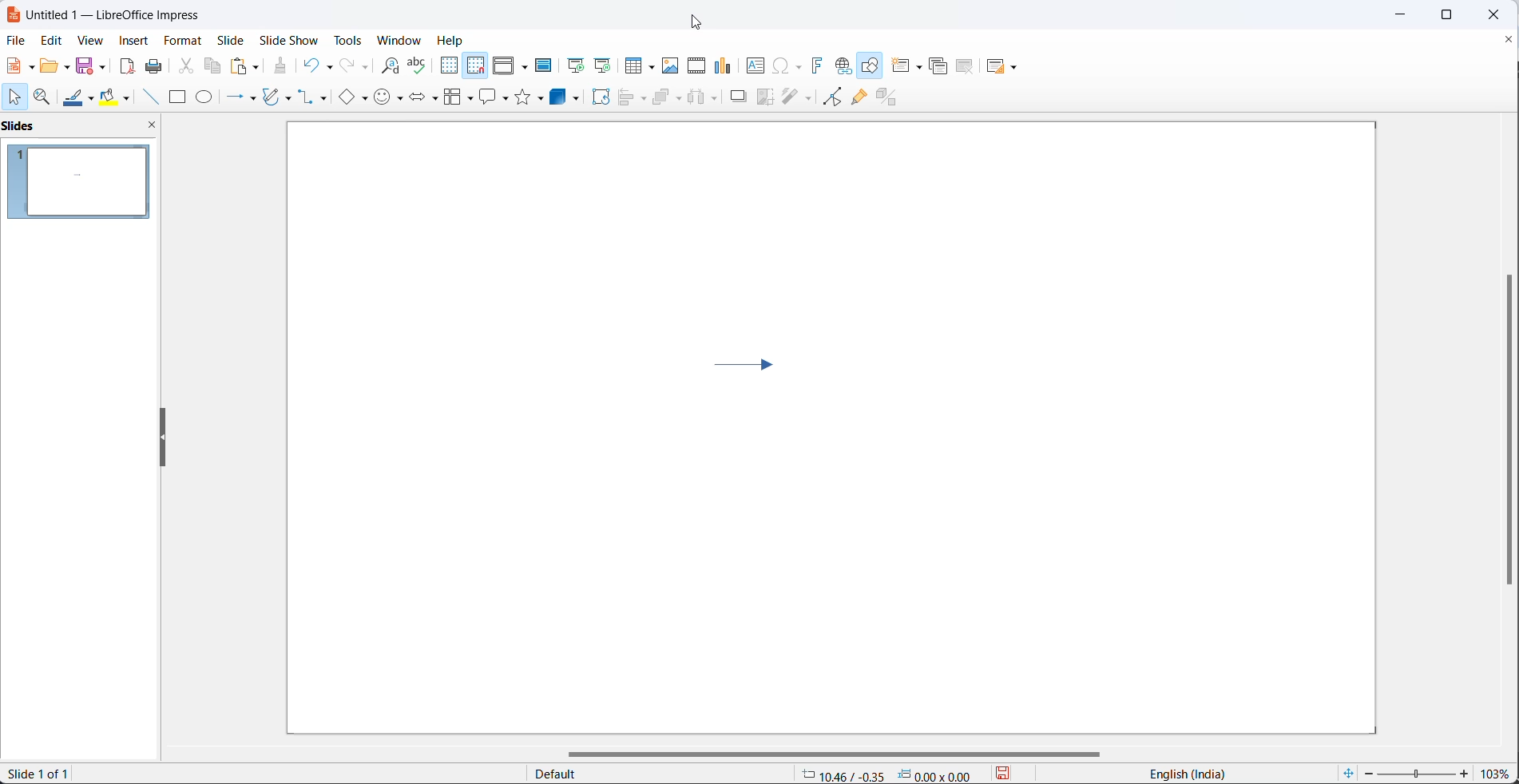  I want to click on slide 1 of 1, so click(47, 775).